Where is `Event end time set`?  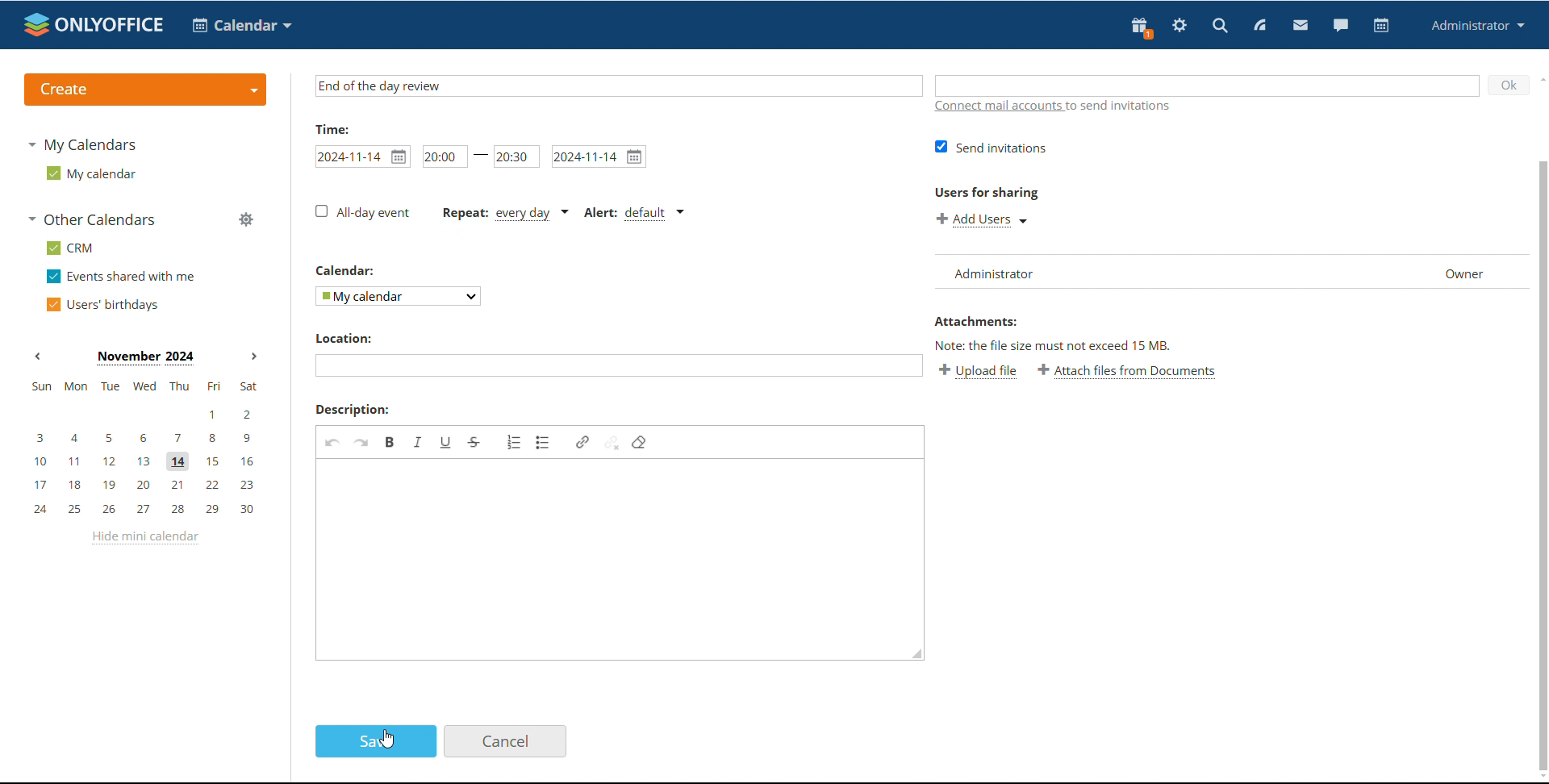
Event end time set is located at coordinates (516, 156).